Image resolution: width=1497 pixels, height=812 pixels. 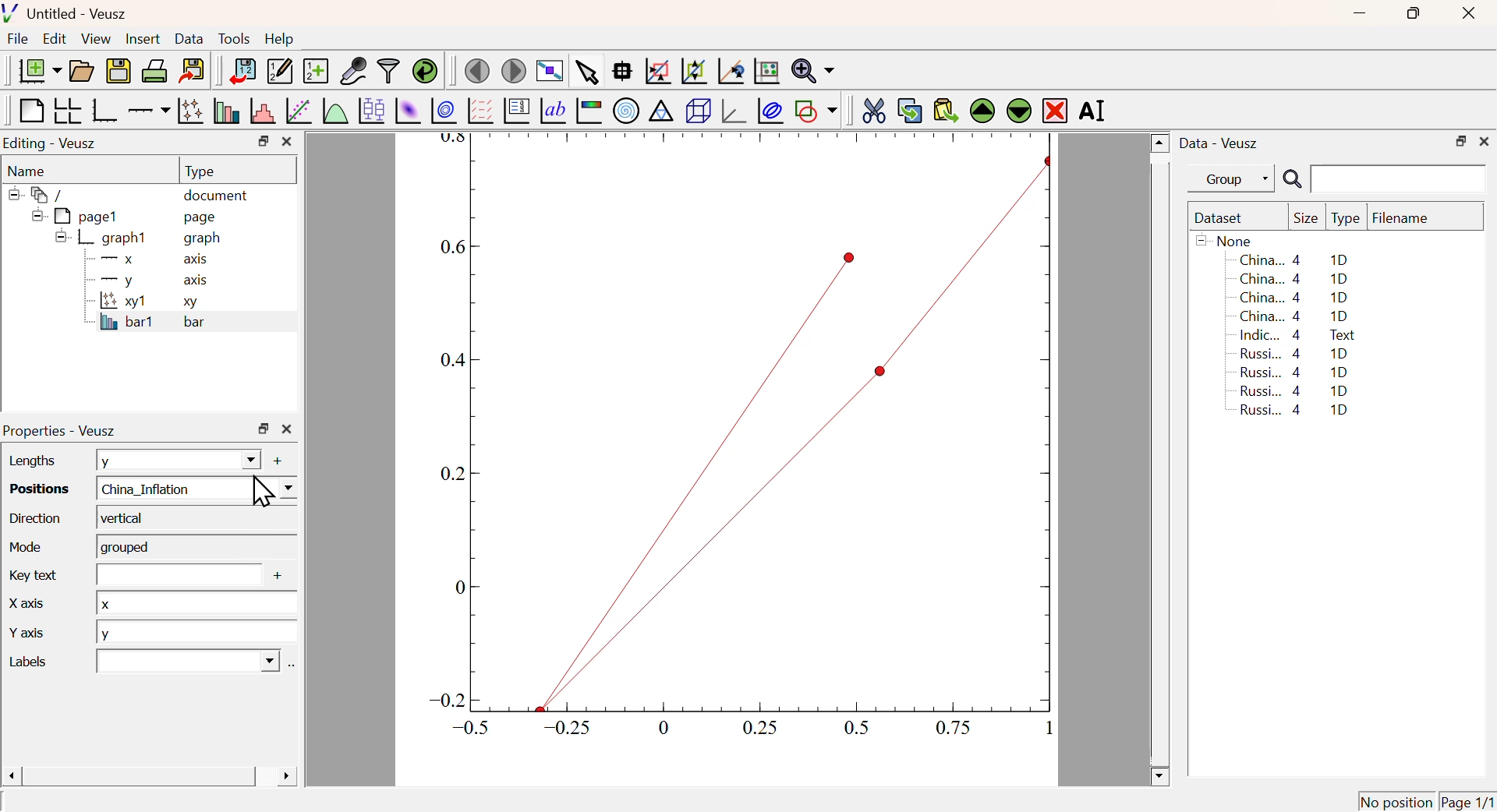 What do you see at coordinates (43, 661) in the screenshot?
I see `Labels` at bounding box center [43, 661].